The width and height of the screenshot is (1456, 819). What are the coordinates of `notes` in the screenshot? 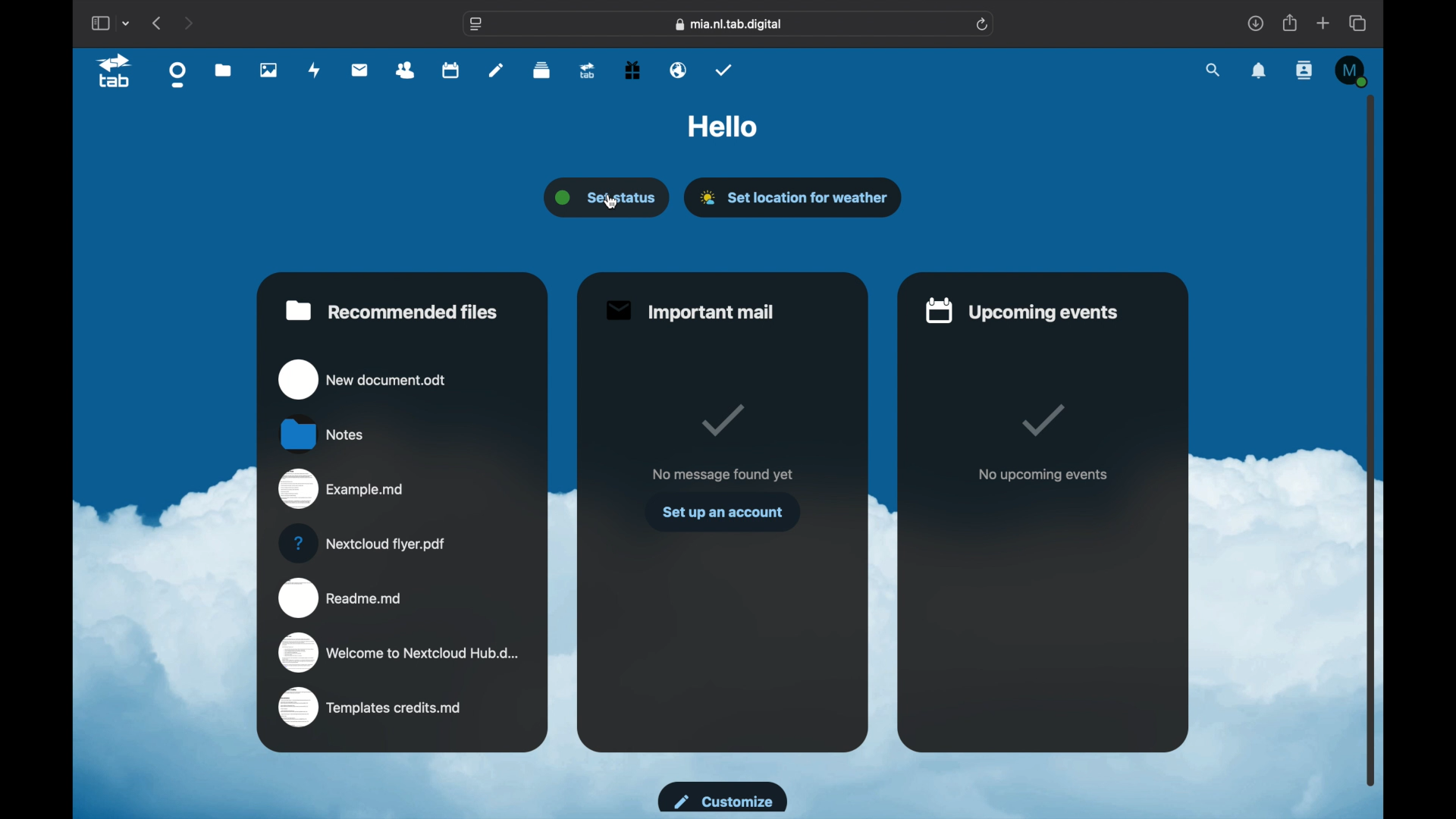 It's located at (324, 433).